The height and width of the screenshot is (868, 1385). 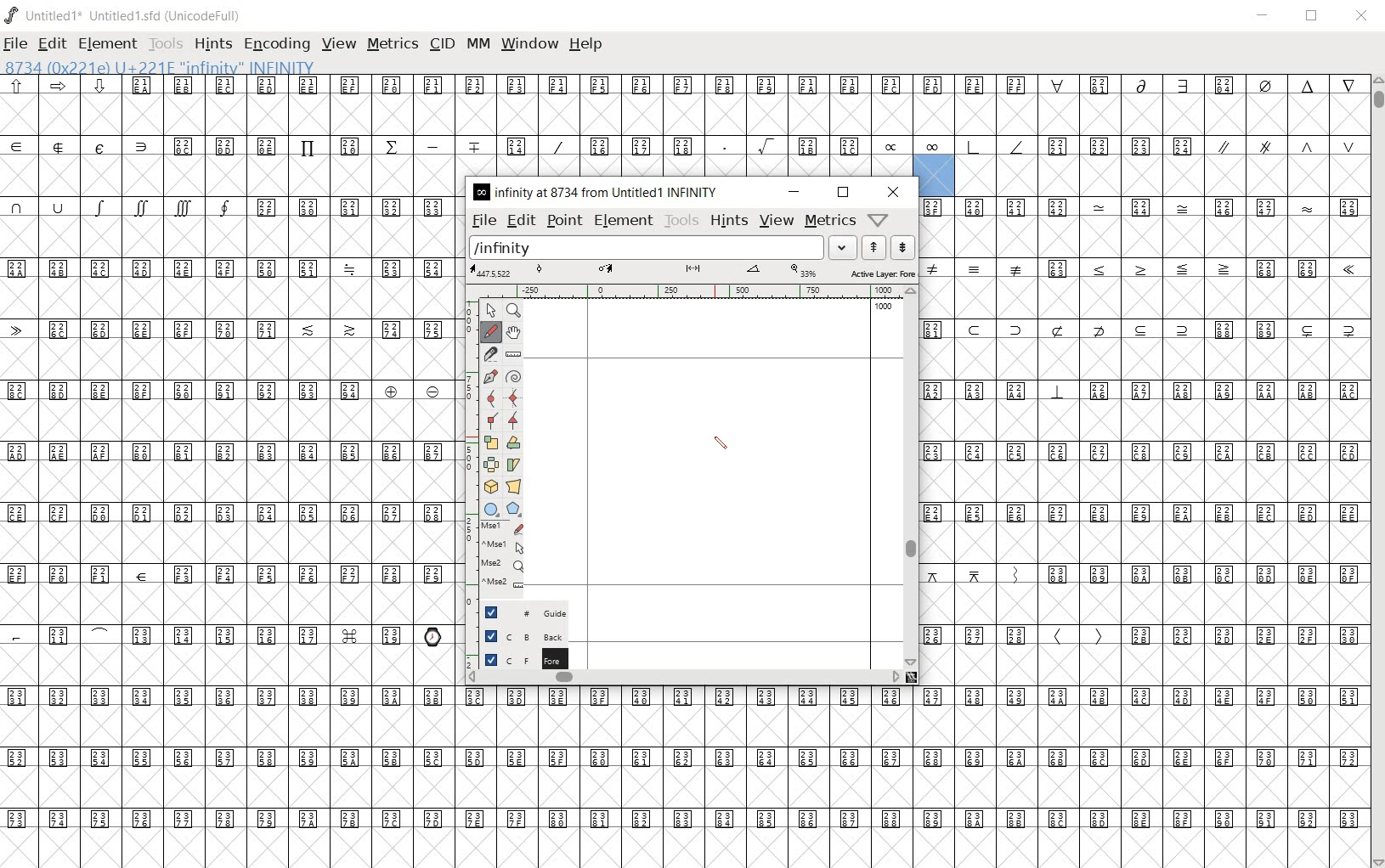 What do you see at coordinates (1146, 298) in the screenshot?
I see `empty glyph slots` at bounding box center [1146, 298].